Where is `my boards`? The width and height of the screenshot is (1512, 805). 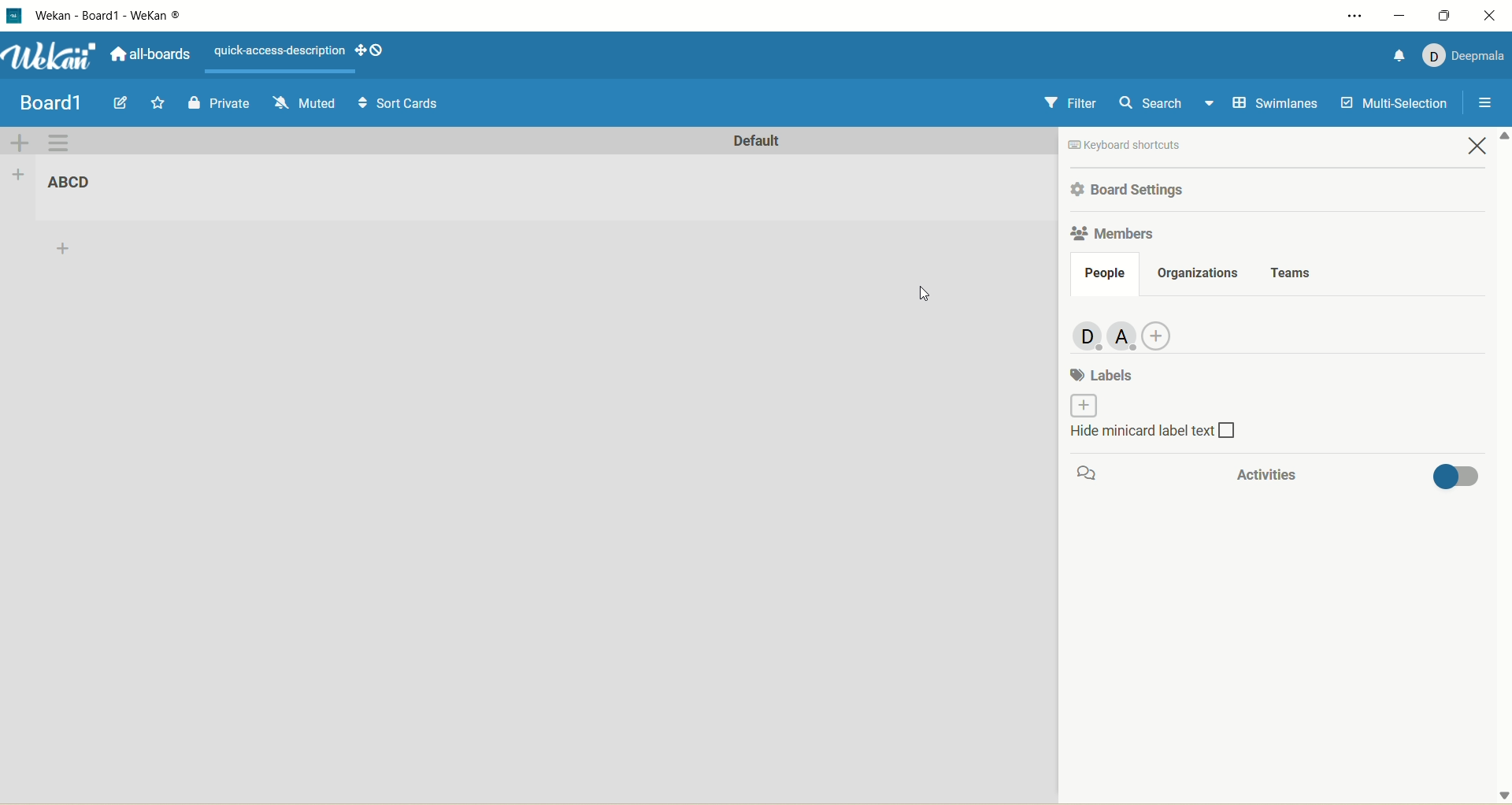 my boards is located at coordinates (68, 100).